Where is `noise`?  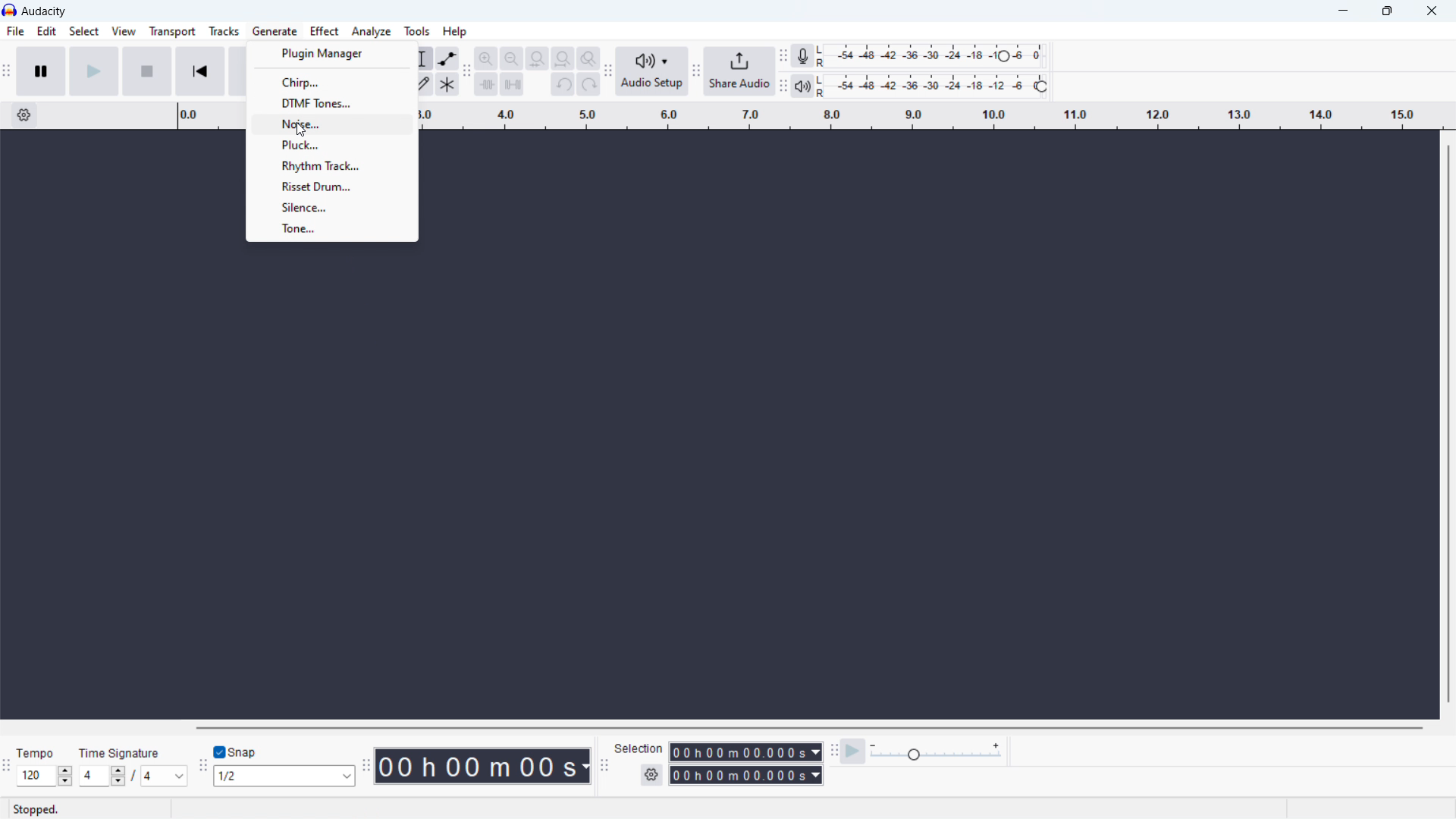 noise is located at coordinates (331, 121).